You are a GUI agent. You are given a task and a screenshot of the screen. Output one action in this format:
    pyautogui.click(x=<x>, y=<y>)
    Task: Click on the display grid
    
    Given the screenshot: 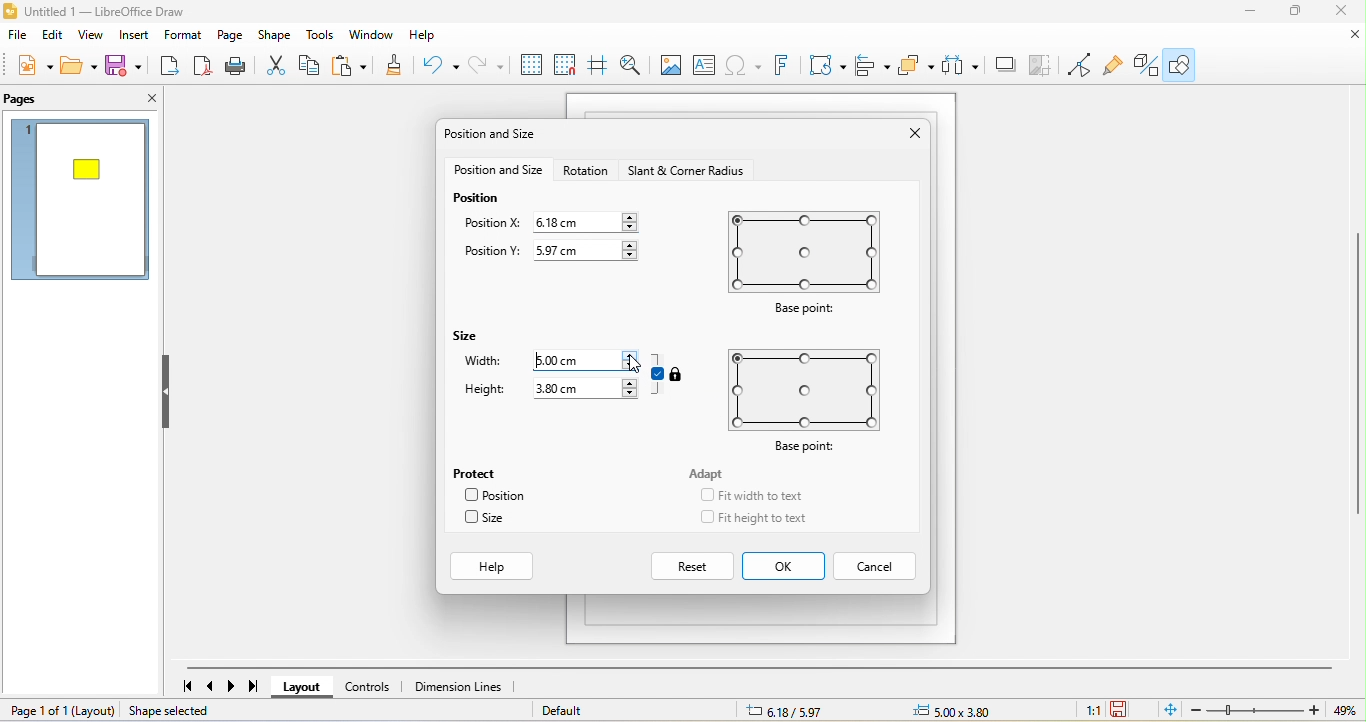 What is the action you would take?
    pyautogui.click(x=531, y=63)
    